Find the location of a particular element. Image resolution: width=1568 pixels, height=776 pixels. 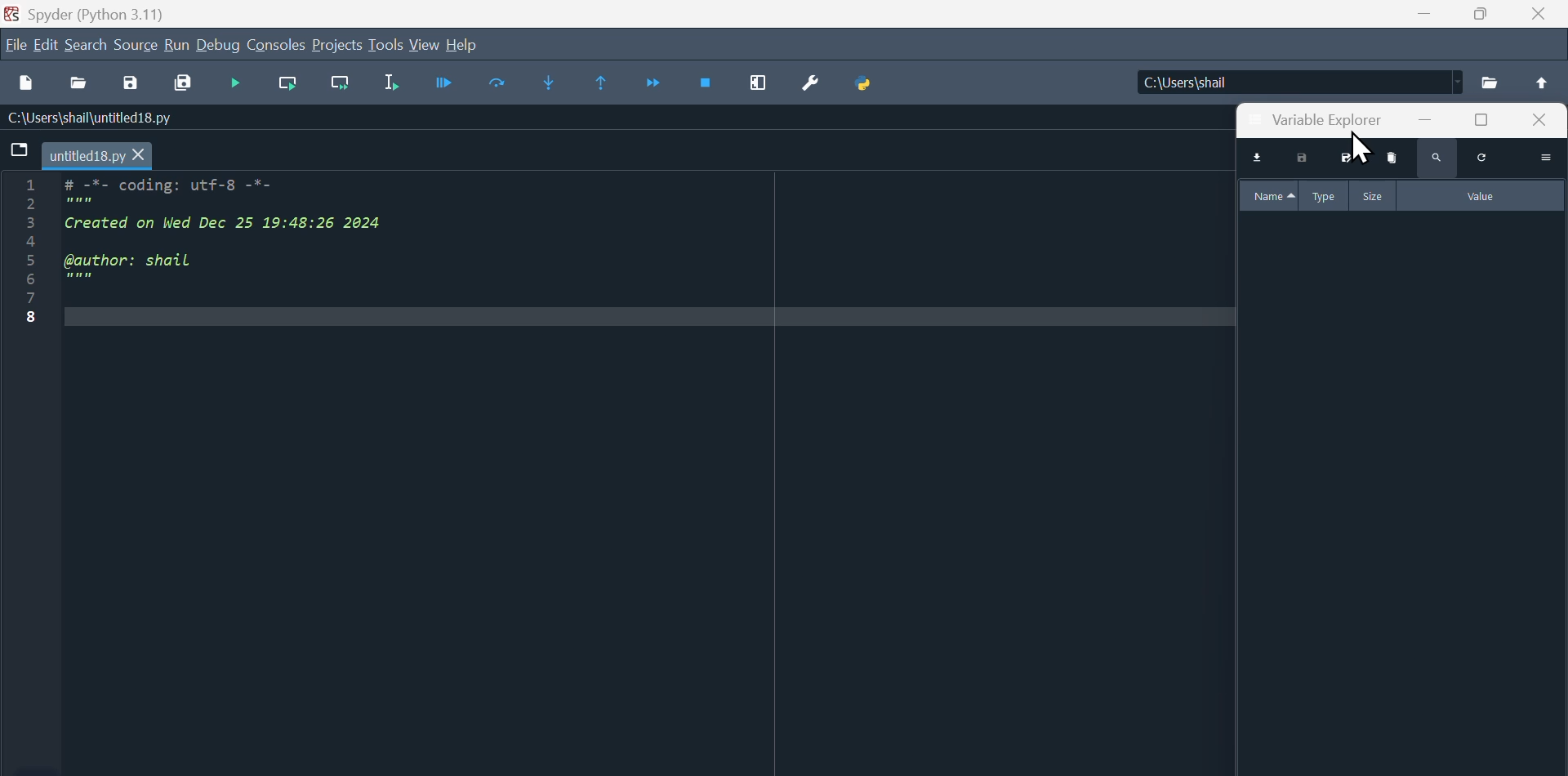

C:\users\shail\untitled18.py is located at coordinates (118, 119).